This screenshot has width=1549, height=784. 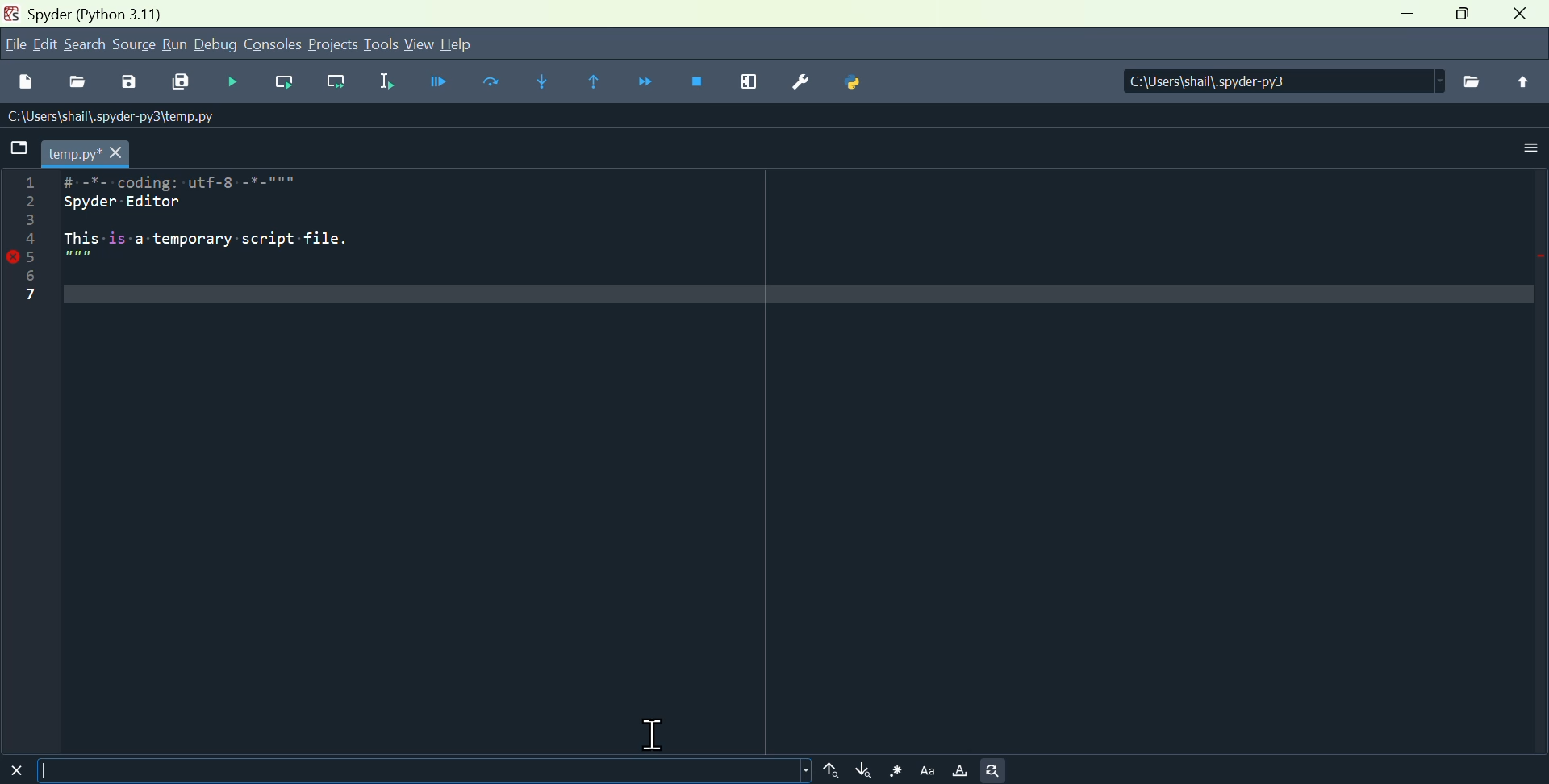 What do you see at coordinates (288, 85) in the screenshot?
I see `Run current cell` at bounding box center [288, 85].